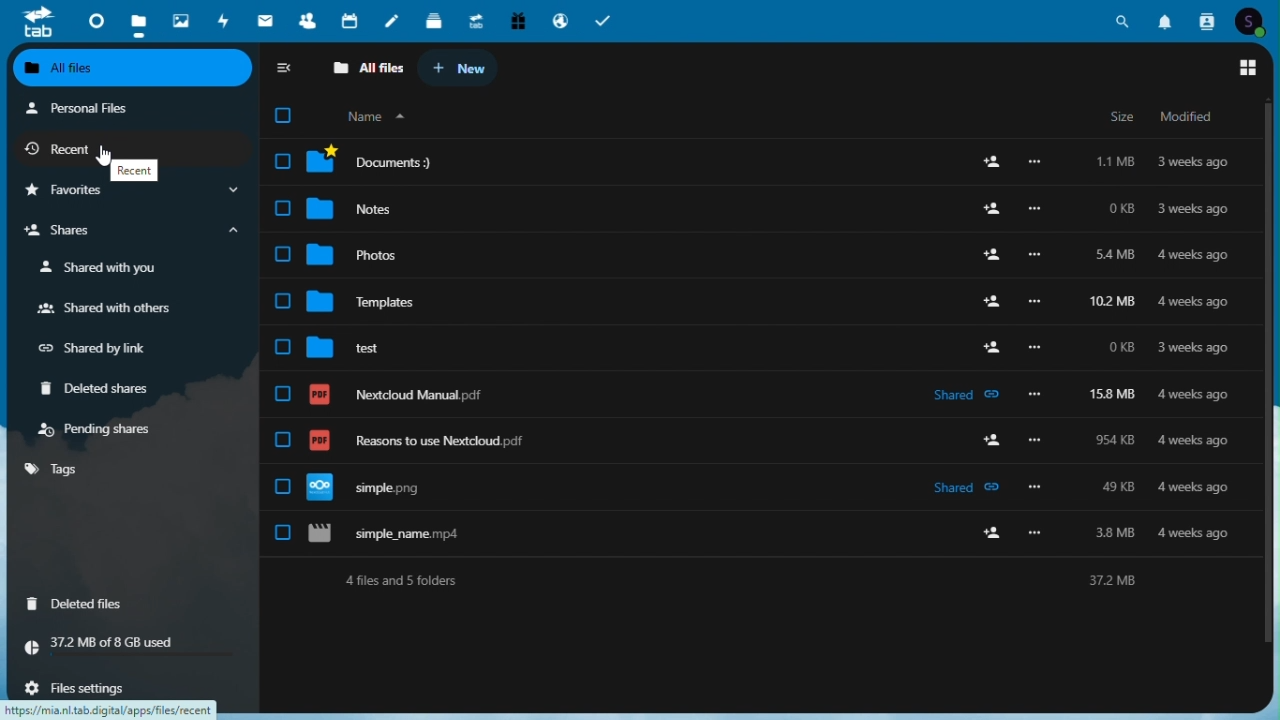  Describe the element at coordinates (756, 391) in the screenshot. I see `‘Nextcloud Manual if` at that location.